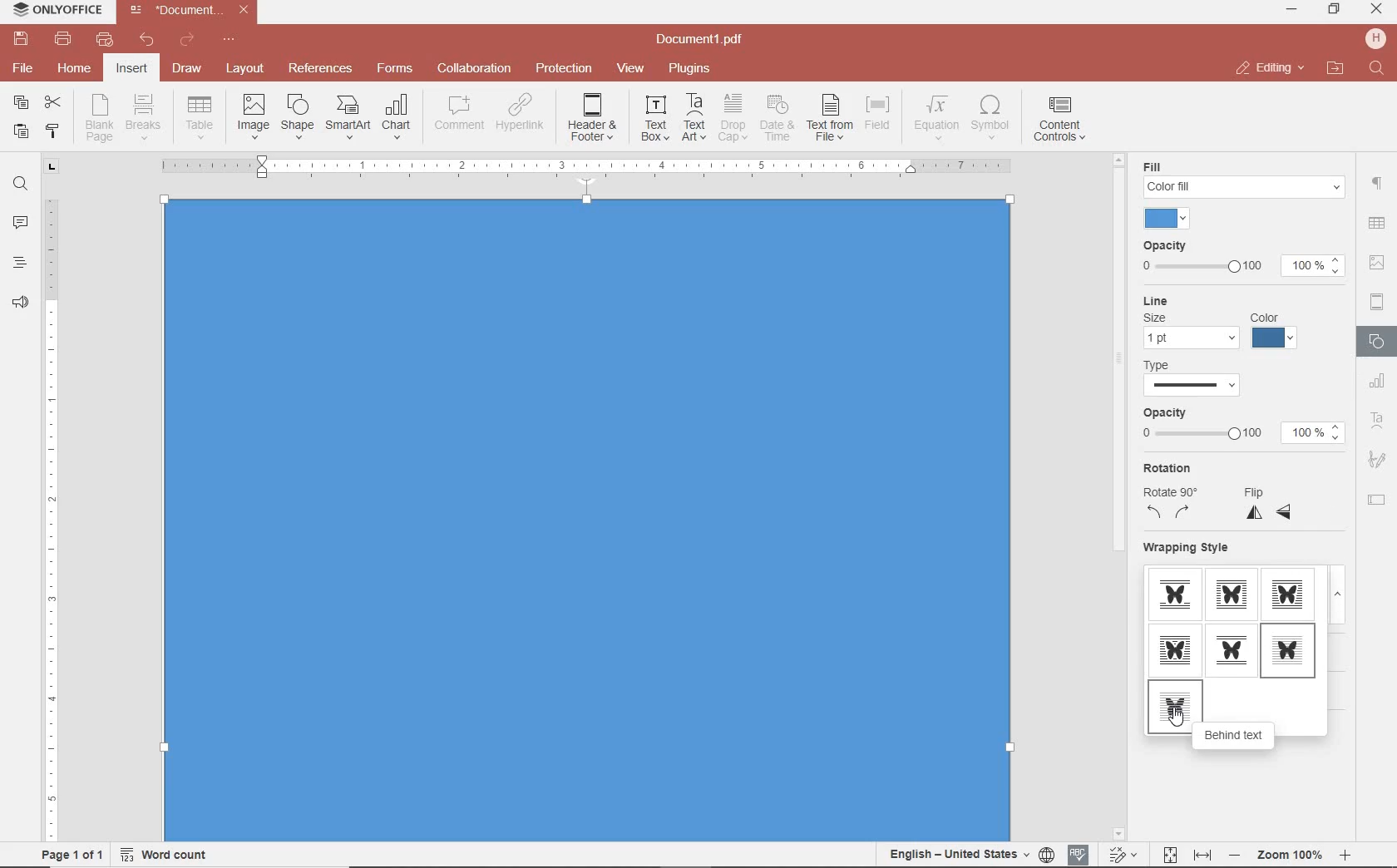 This screenshot has width=1397, height=868. What do you see at coordinates (1354, 644) in the screenshot?
I see `scrollbar` at bounding box center [1354, 644].